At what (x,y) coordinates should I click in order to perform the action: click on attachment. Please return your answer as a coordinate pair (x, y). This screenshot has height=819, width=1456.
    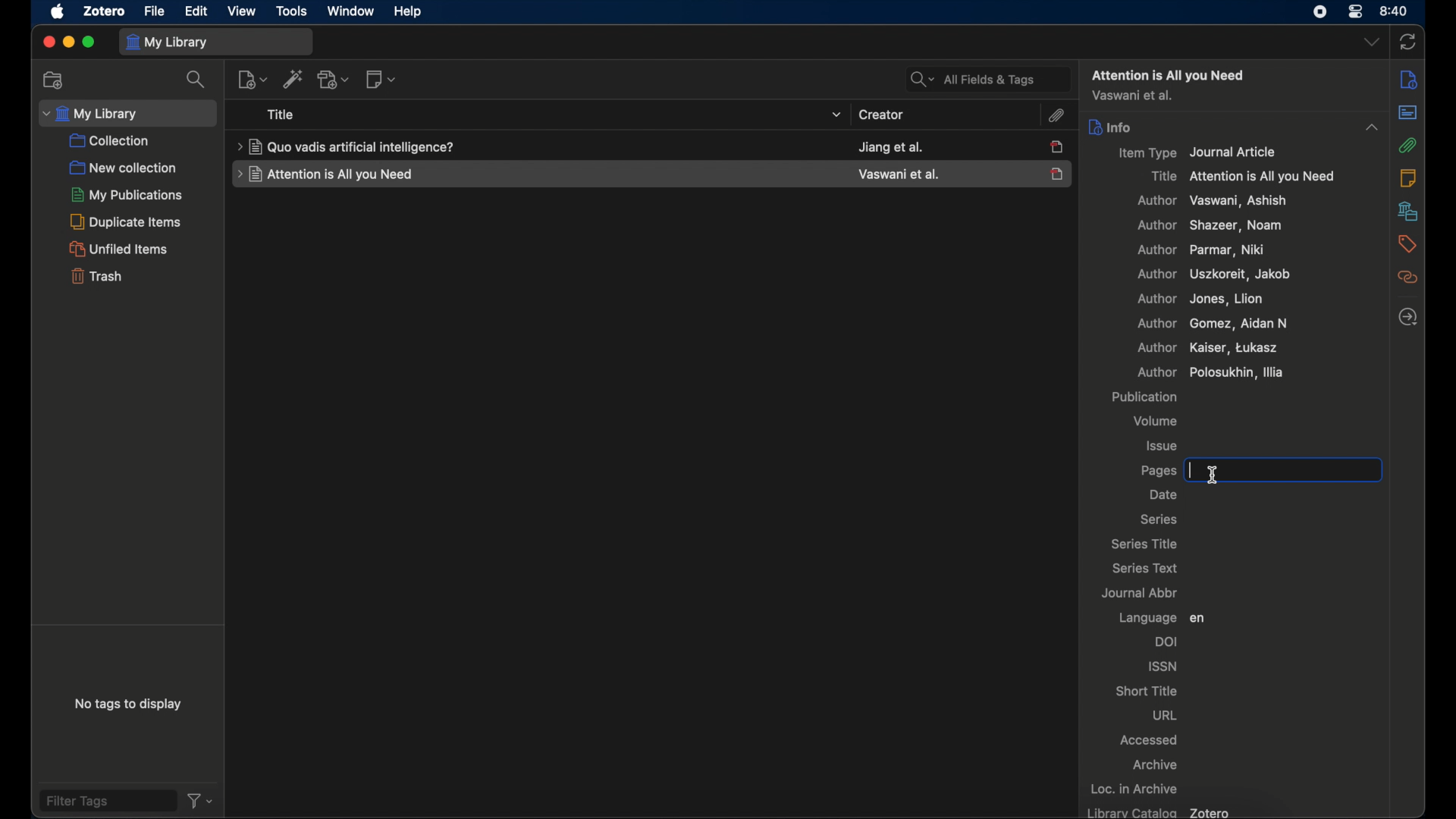
    Looking at the image, I should click on (1059, 116).